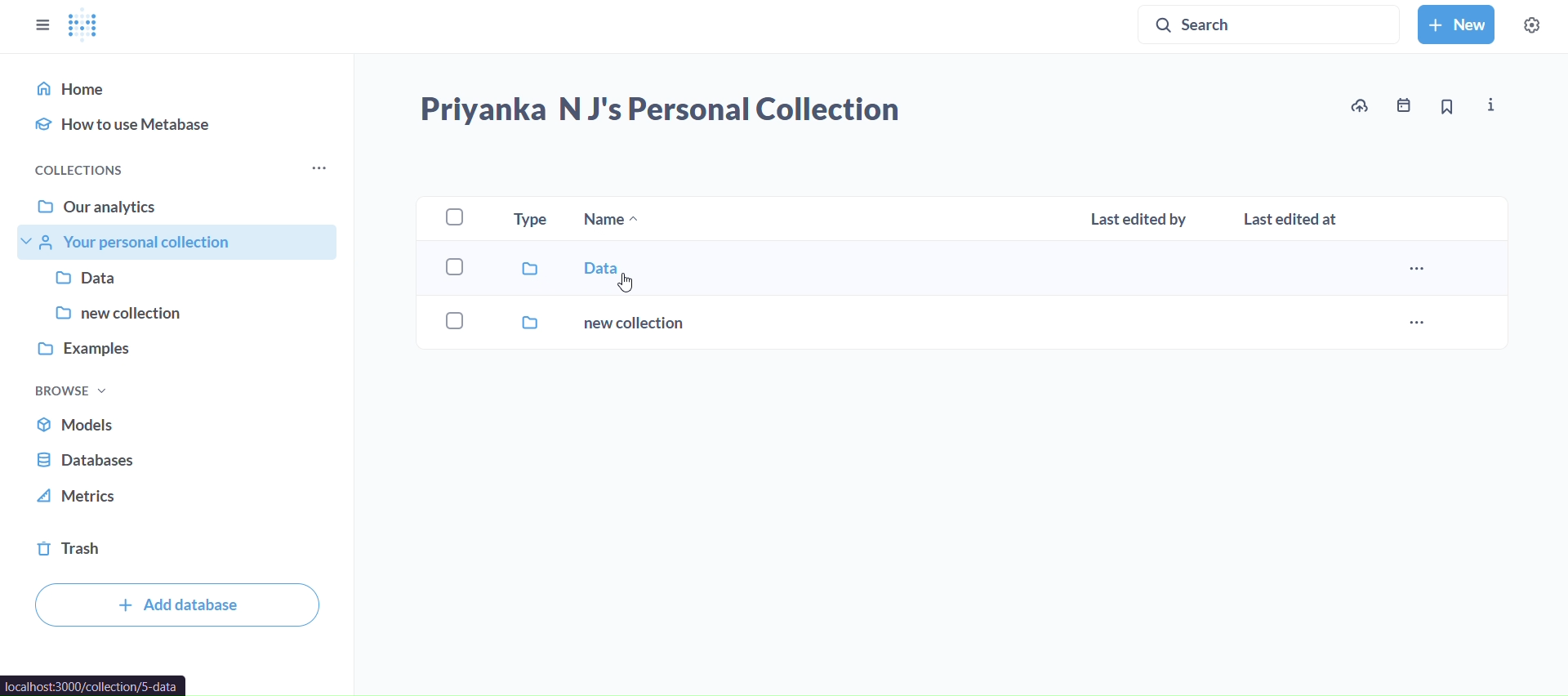  What do you see at coordinates (625, 285) in the screenshot?
I see `cursor` at bounding box center [625, 285].